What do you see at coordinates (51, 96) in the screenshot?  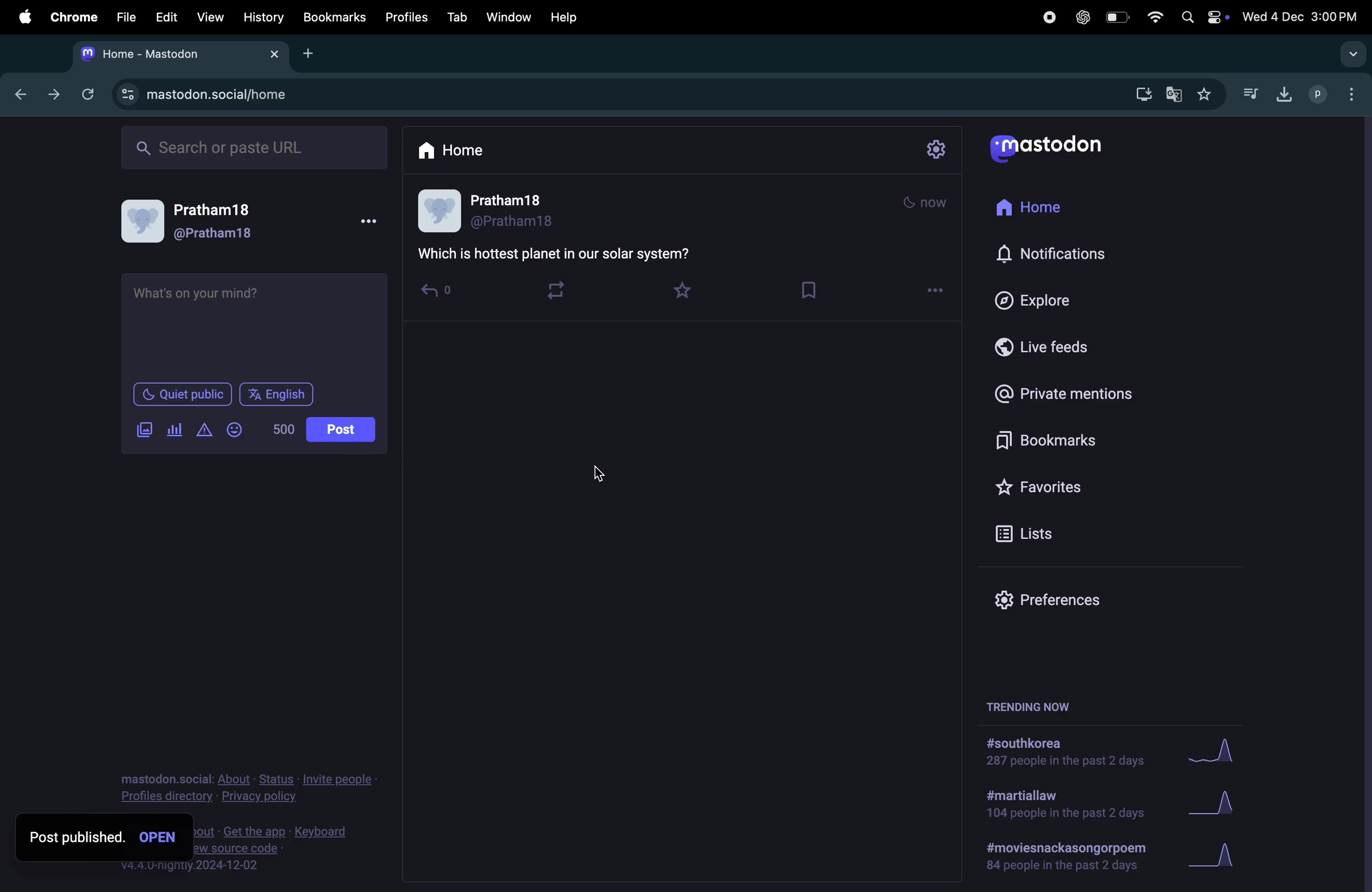 I see `frwardward` at bounding box center [51, 96].